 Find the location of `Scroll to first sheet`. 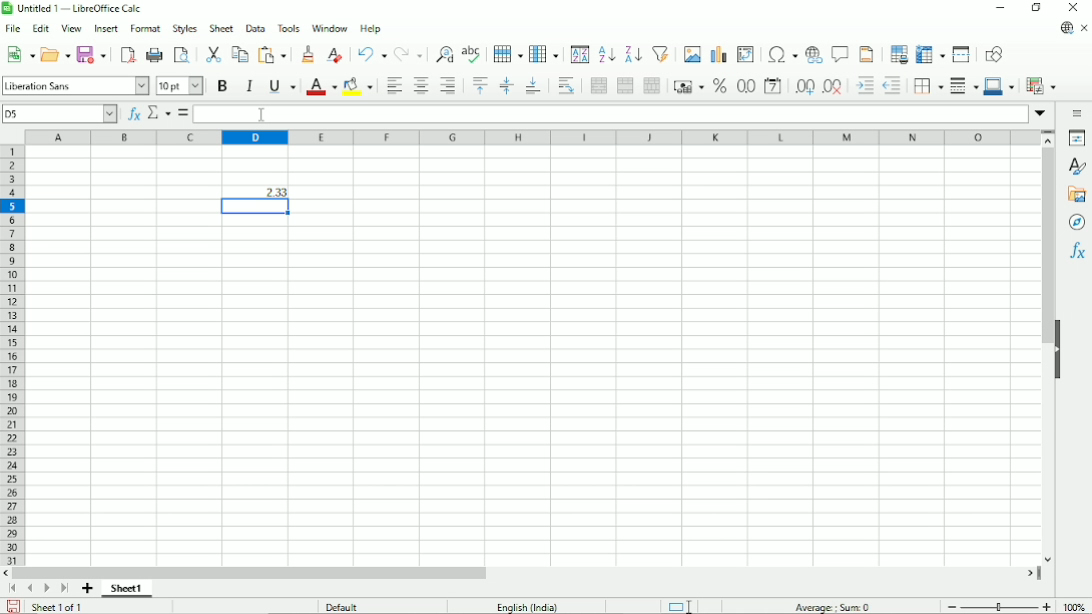

Scroll to first sheet is located at coordinates (13, 588).